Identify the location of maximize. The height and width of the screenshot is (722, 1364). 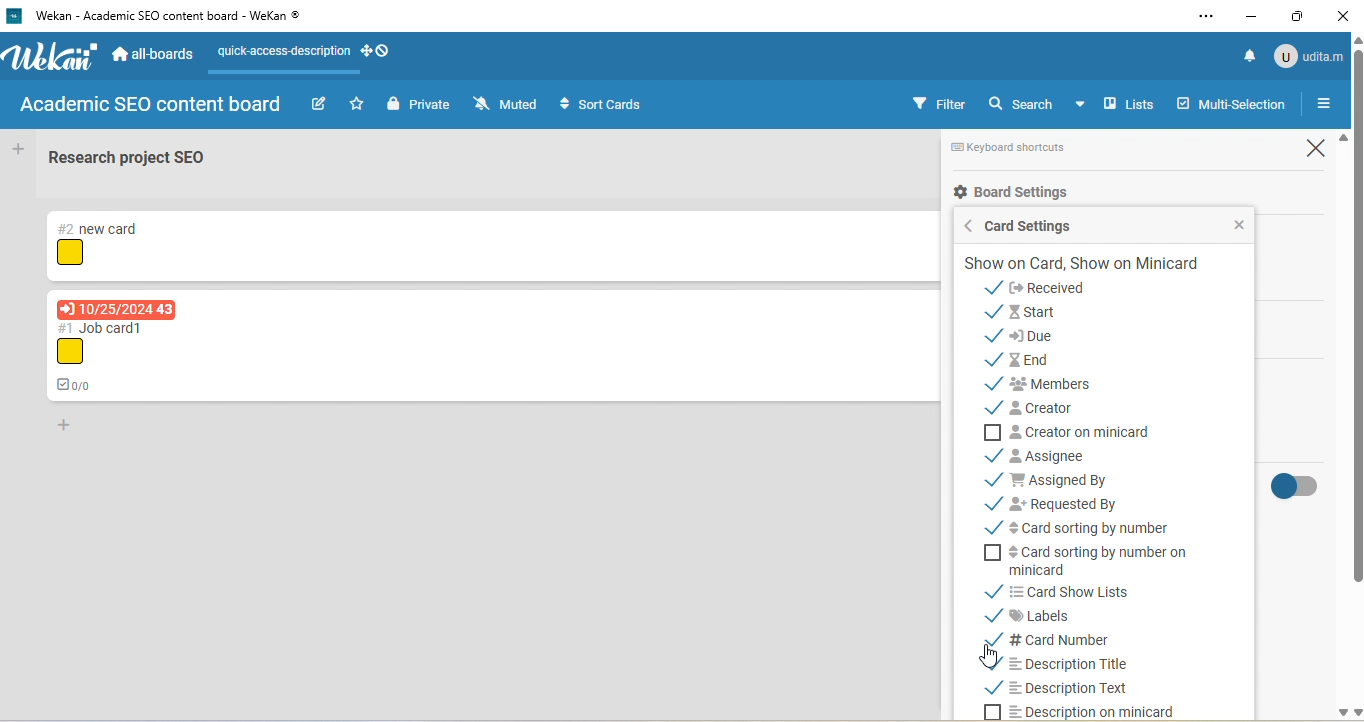
(1301, 15).